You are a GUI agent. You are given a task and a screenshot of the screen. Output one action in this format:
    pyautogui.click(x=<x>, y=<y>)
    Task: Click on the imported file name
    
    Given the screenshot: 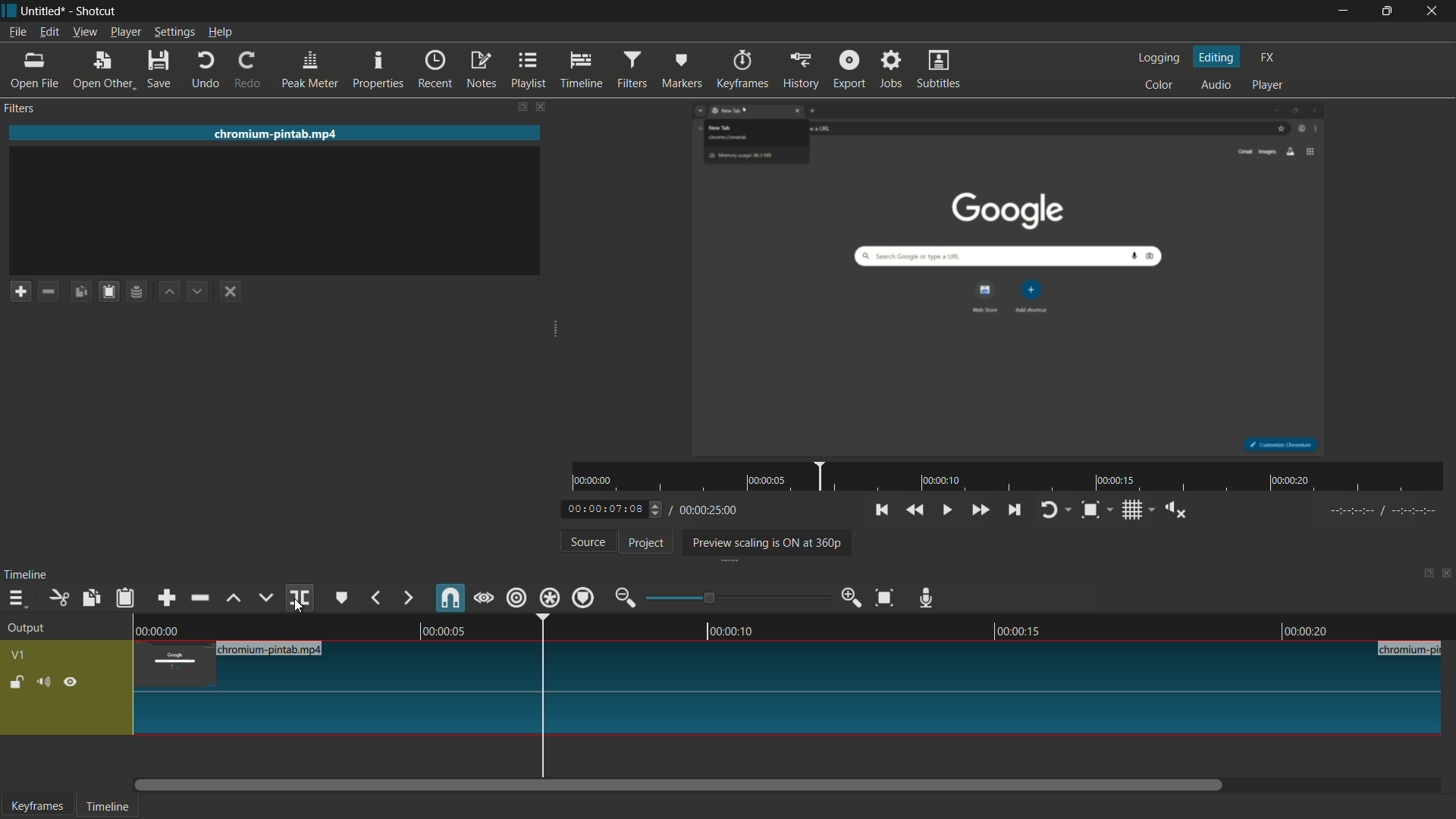 What is the action you would take?
    pyautogui.click(x=276, y=133)
    